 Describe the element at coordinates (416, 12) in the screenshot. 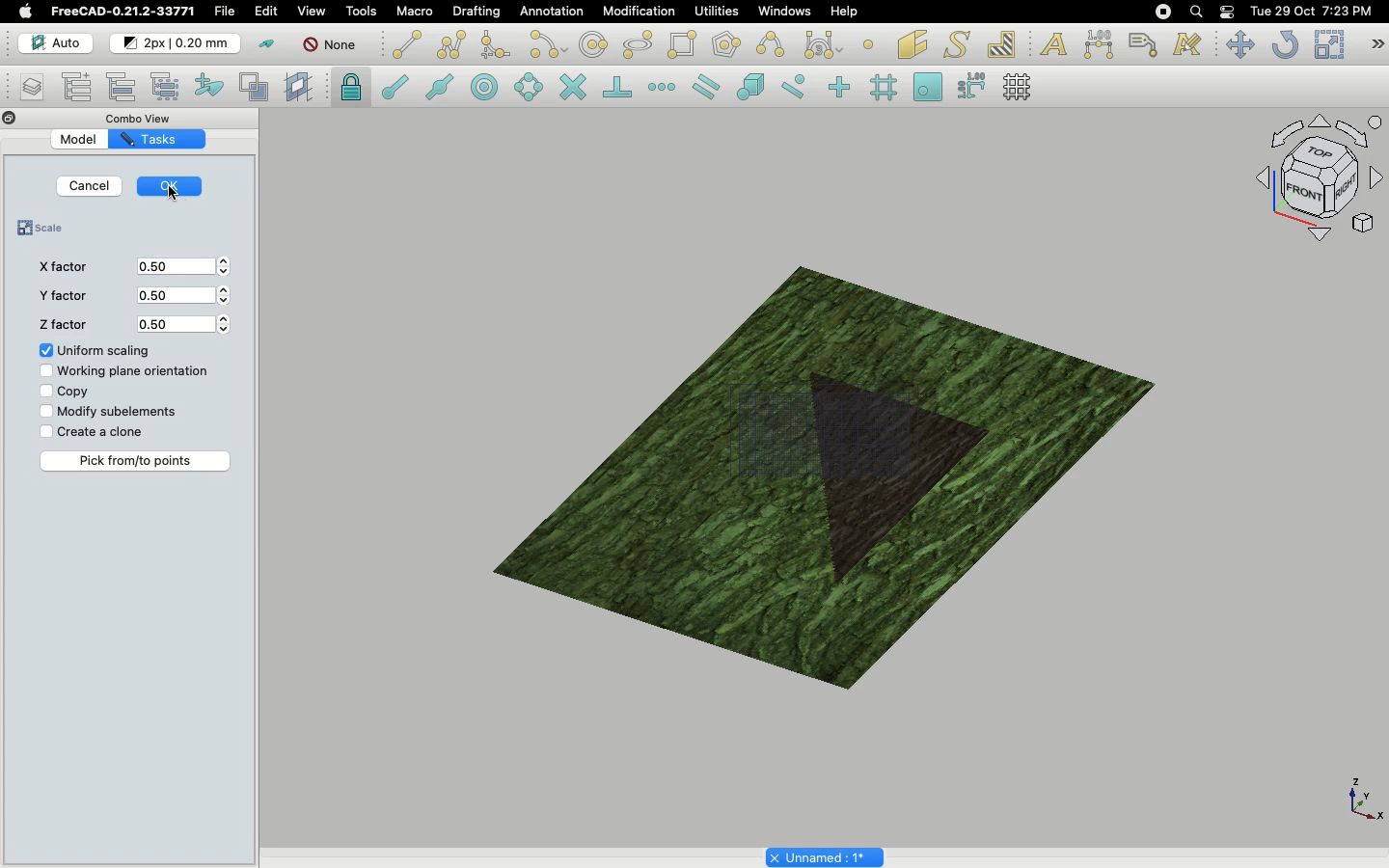

I see `Macro` at that location.